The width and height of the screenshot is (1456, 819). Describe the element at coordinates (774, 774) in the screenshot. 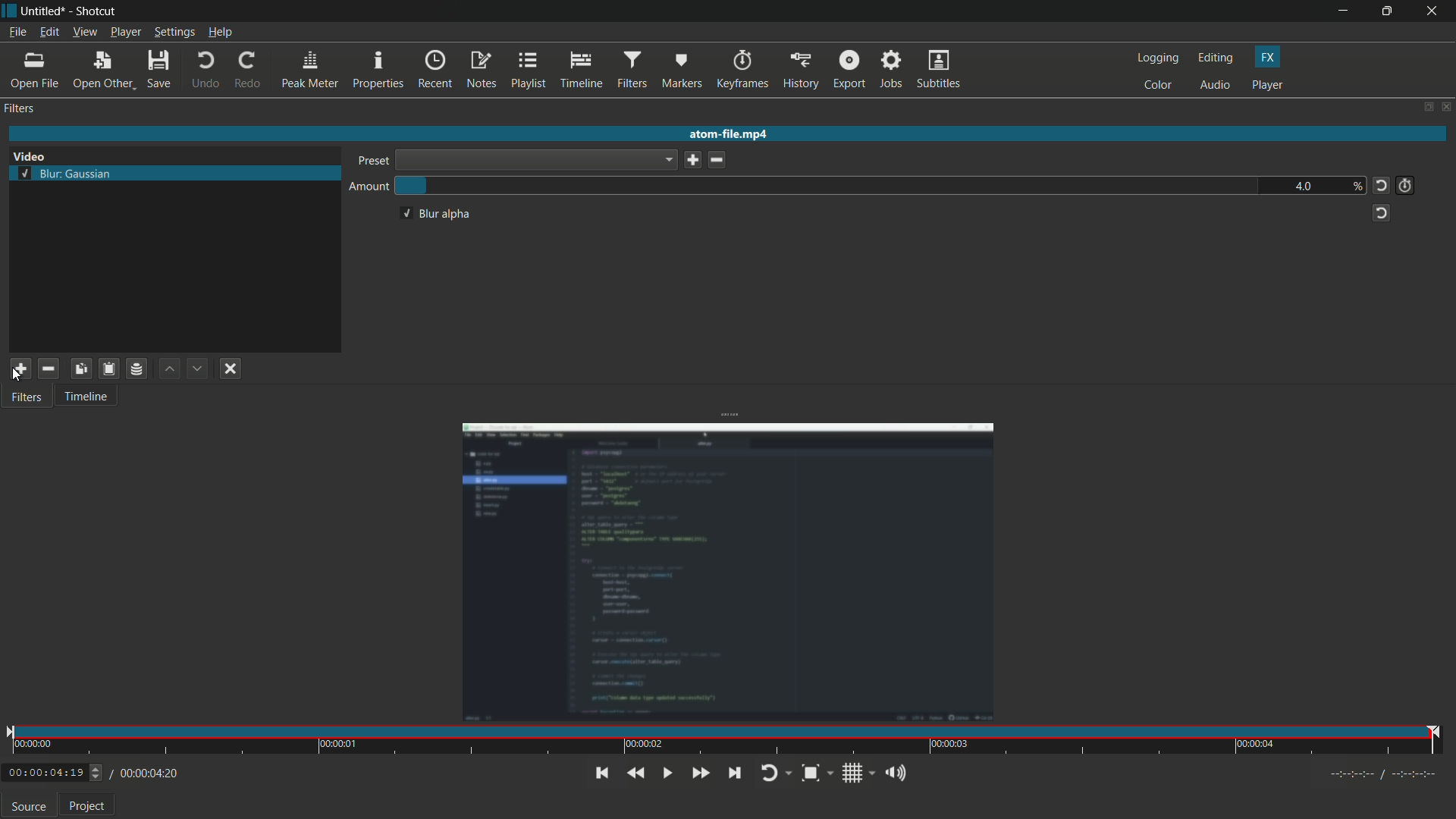

I see `toggle player looping` at that location.